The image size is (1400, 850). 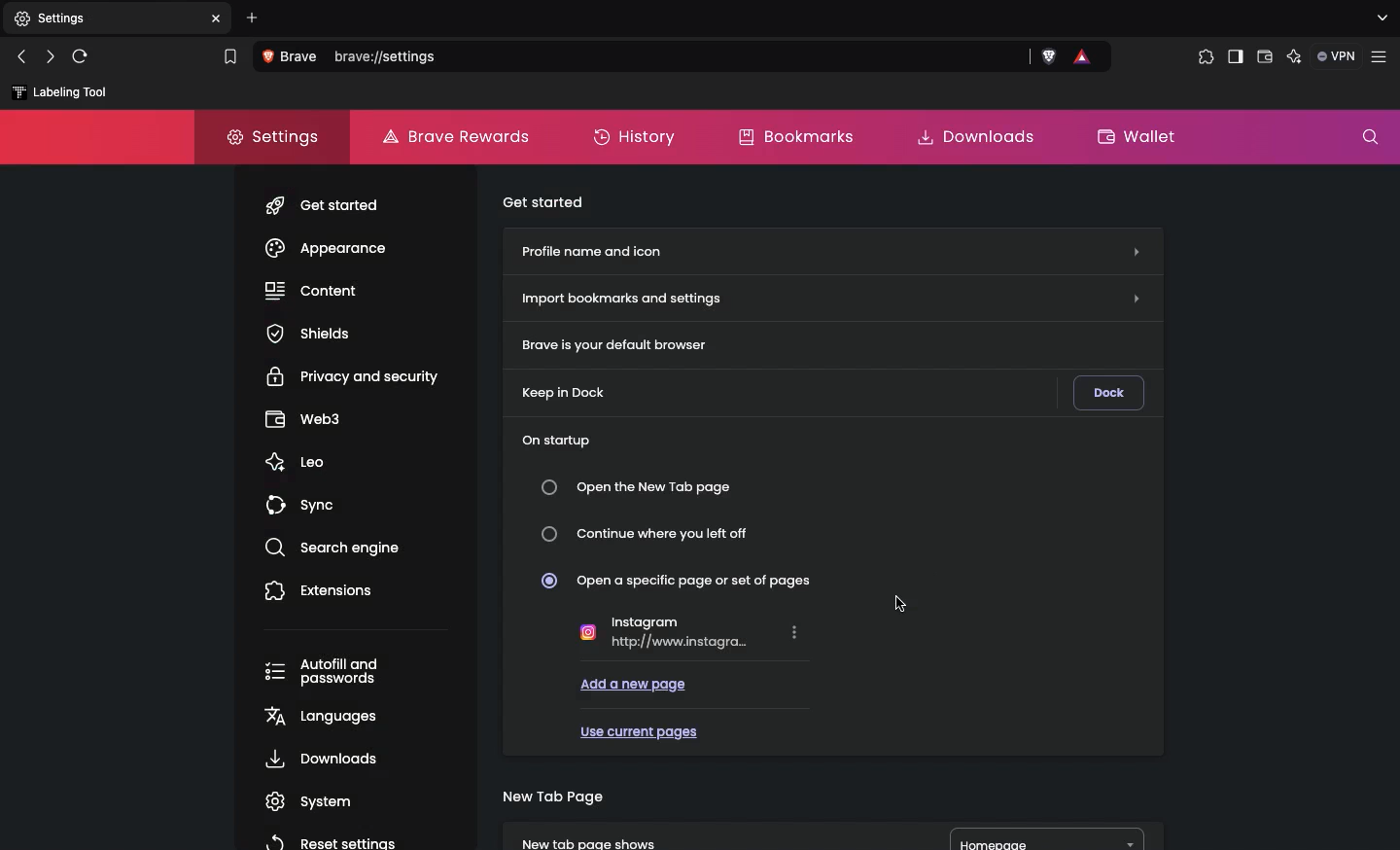 I want to click on Bookmarks, so click(x=793, y=135).